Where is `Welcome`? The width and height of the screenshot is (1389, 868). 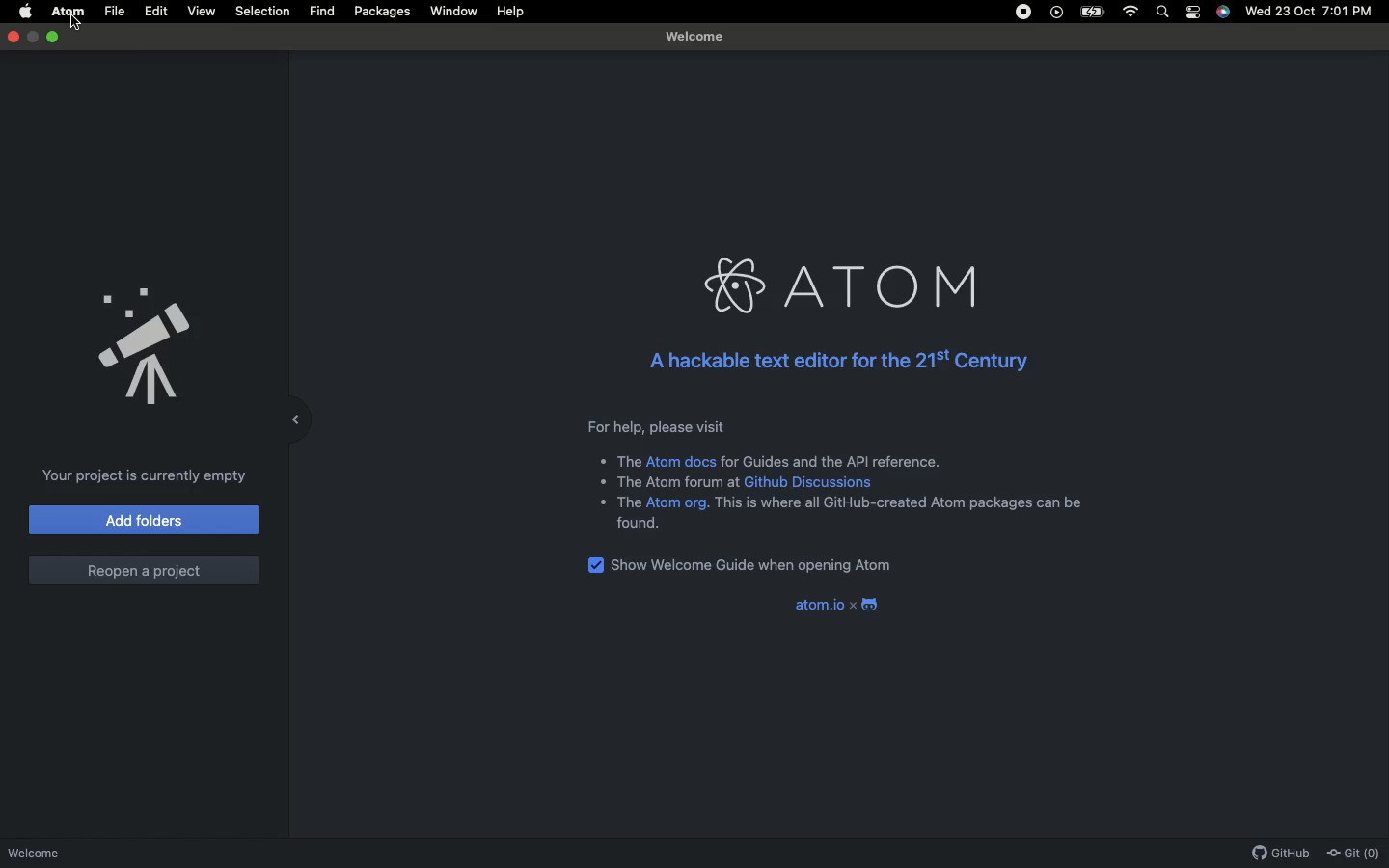
Welcome is located at coordinates (694, 38).